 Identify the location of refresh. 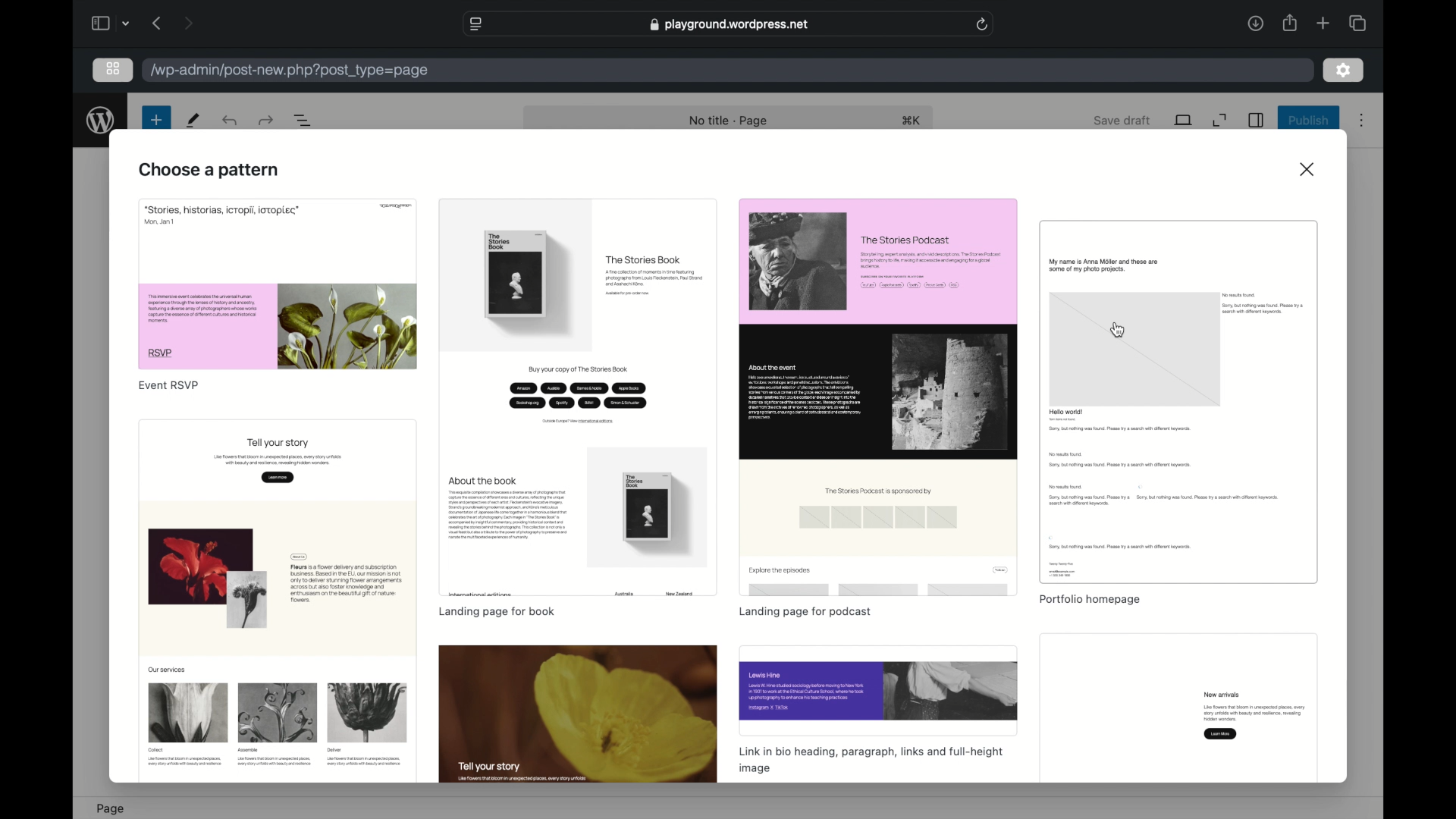
(983, 24).